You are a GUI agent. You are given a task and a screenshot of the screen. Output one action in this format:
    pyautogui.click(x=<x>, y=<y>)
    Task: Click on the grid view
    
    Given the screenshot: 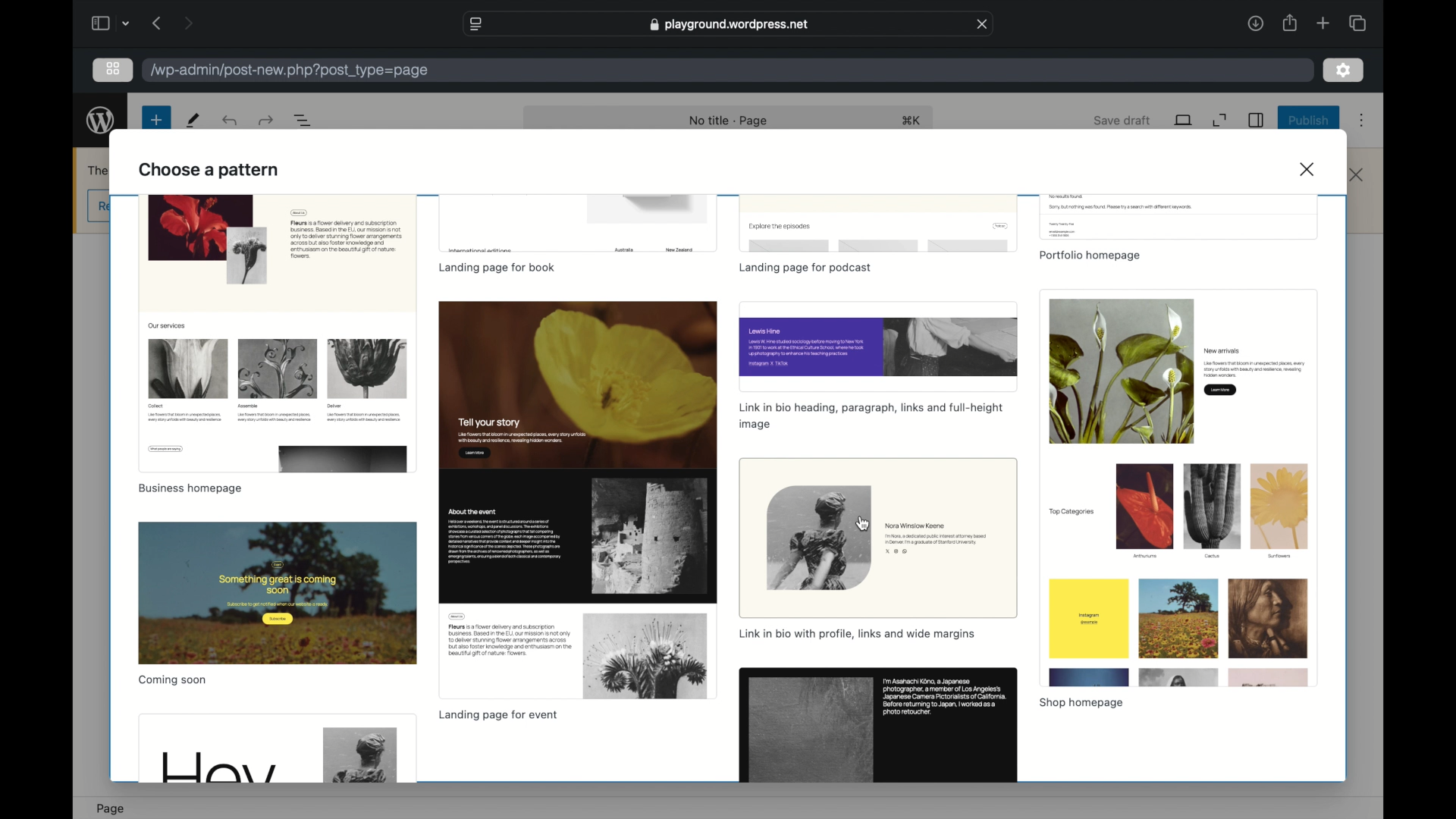 What is the action you would take?
    pyautogui.click(x=113, y=68)
    